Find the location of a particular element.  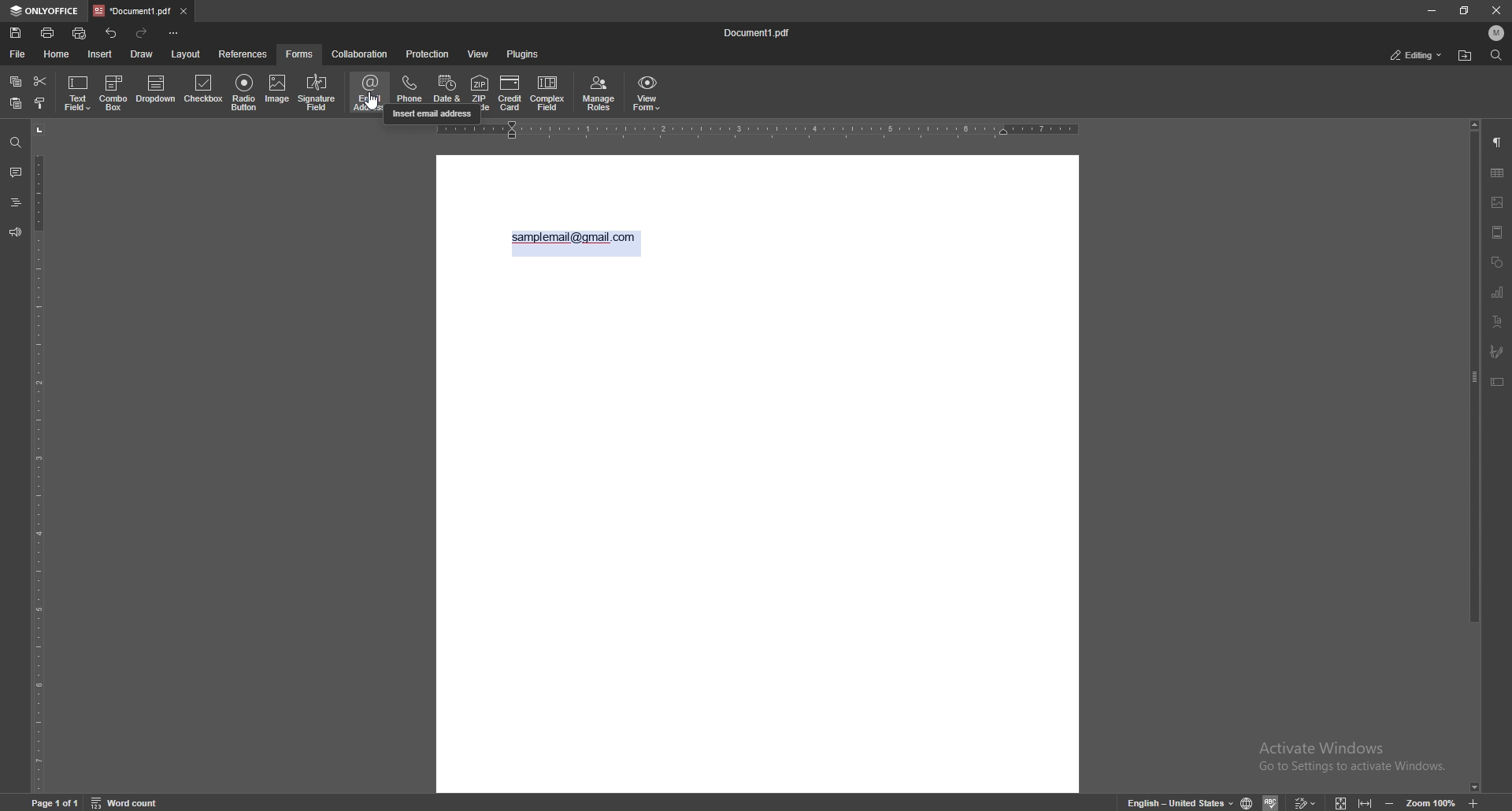

tab is located at coordinates (131, 11).